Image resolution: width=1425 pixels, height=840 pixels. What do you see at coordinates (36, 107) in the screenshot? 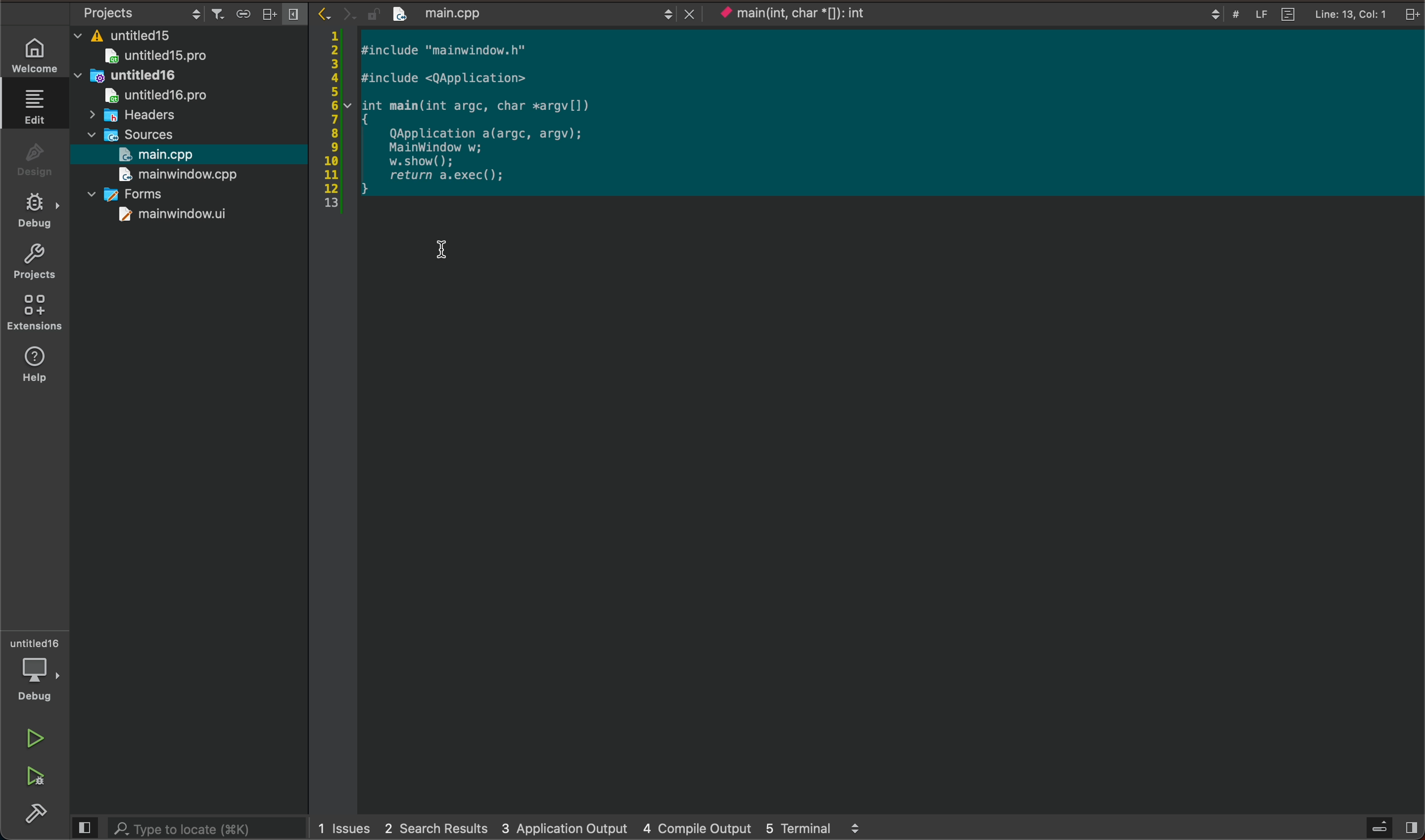
I see `edit file` at bounding box center [36, 107].